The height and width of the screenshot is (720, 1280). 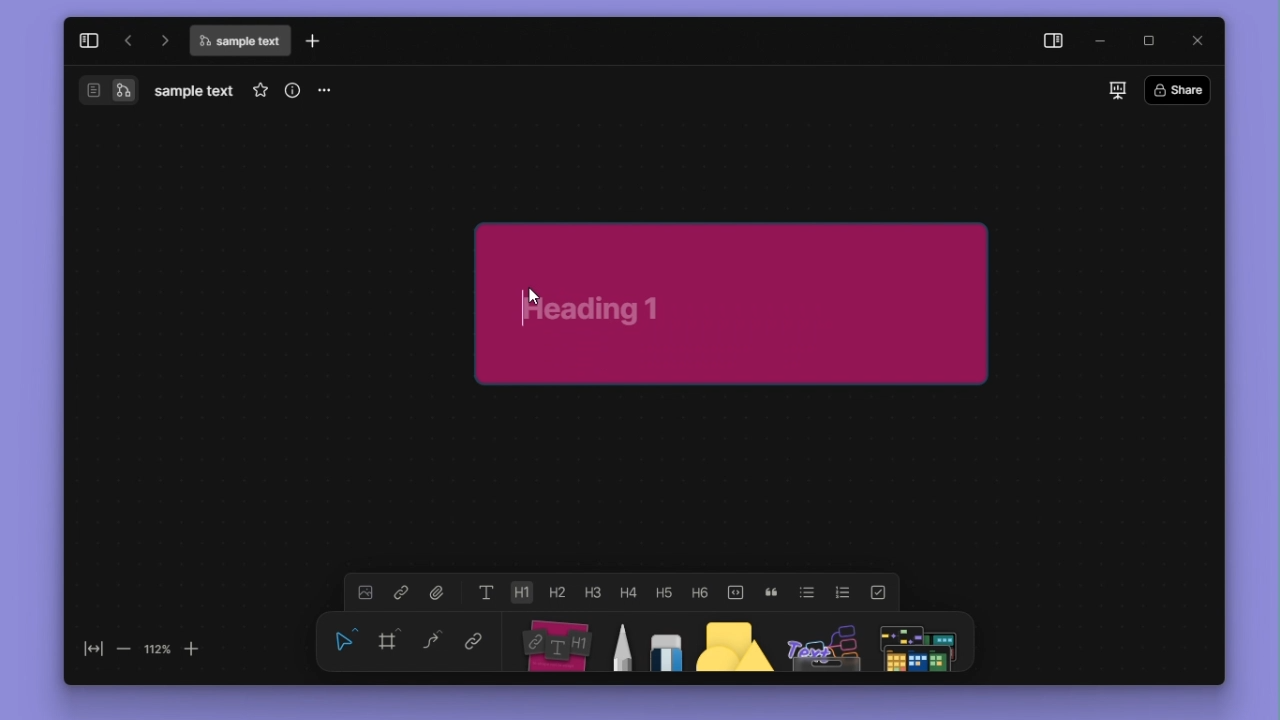 I want to click on bulleted list, so click(x=807, y=592).